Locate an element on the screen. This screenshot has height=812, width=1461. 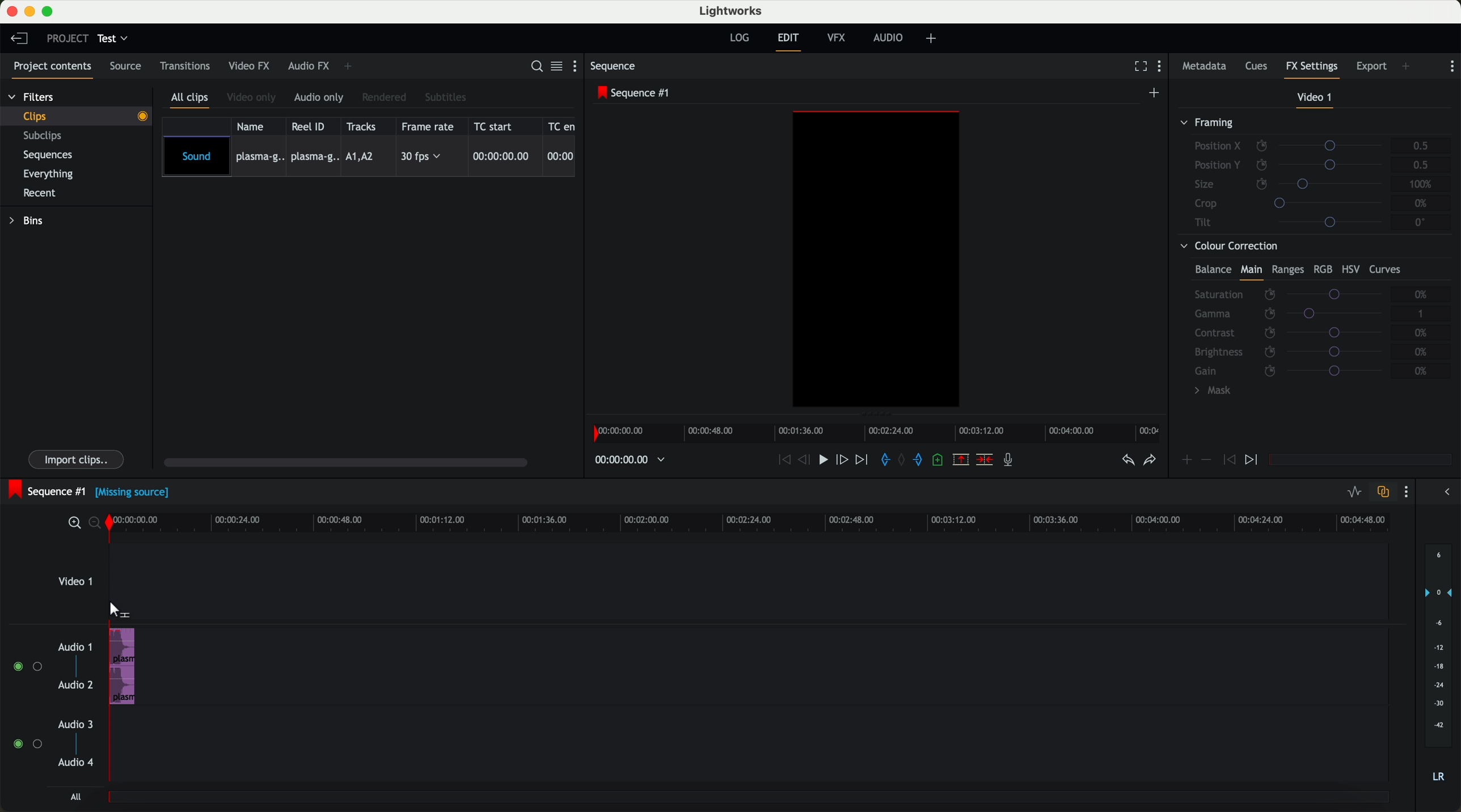
sequence #1 is located at coordinates (635, 94).